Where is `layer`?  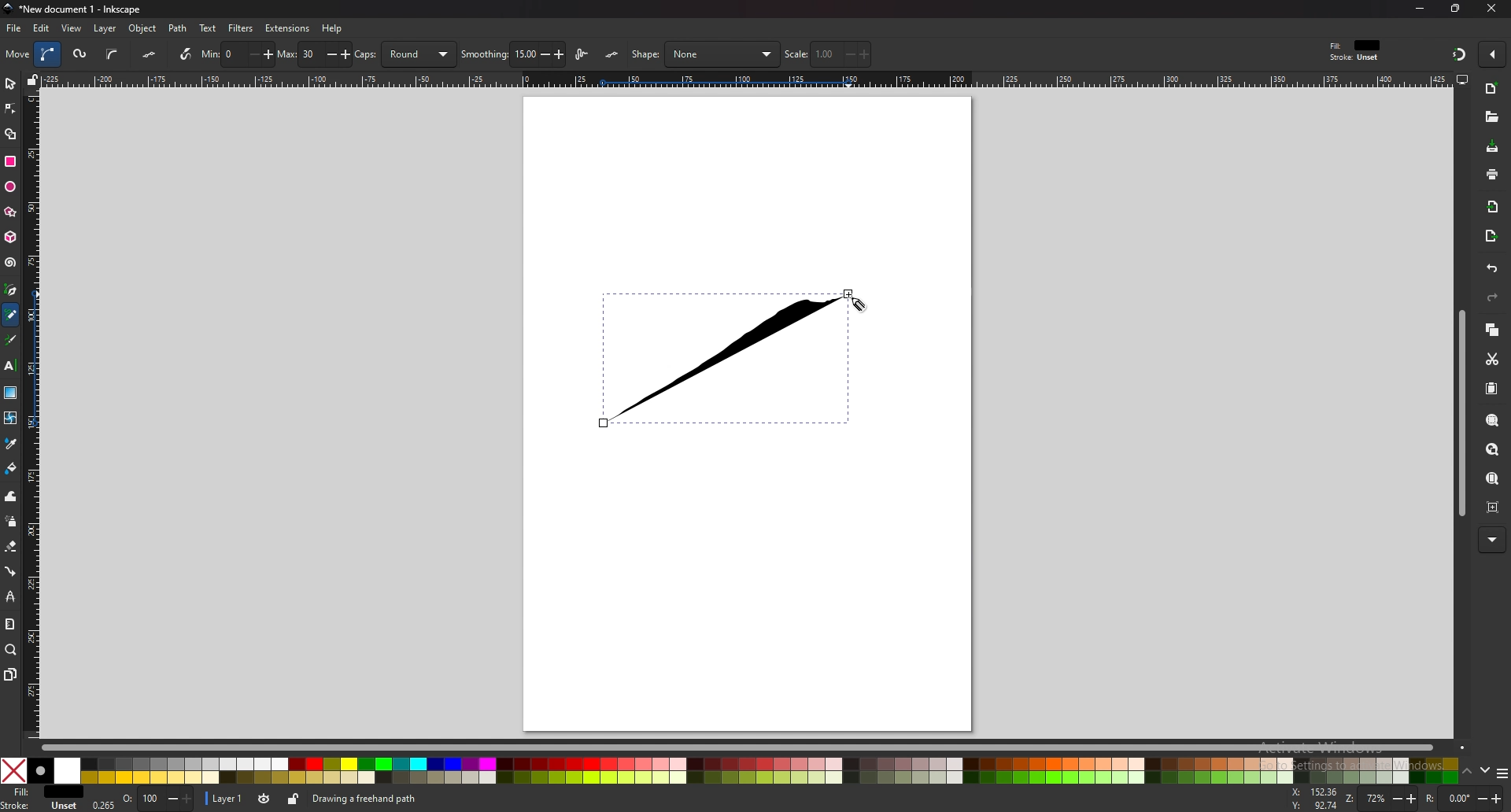 layer is located at coordinates (106, 29).